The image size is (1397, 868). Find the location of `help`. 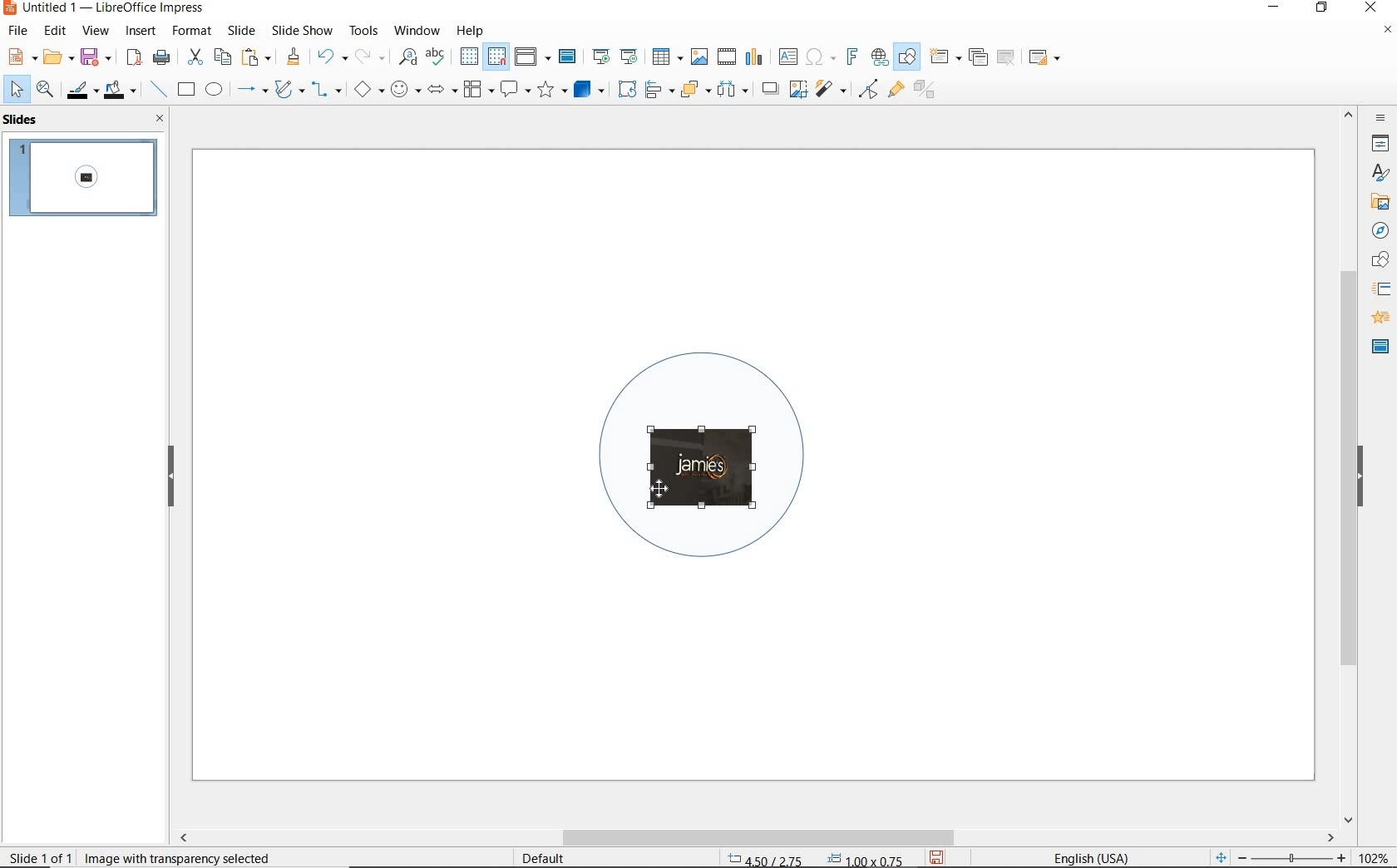

help is located at coordinates (472, 28).